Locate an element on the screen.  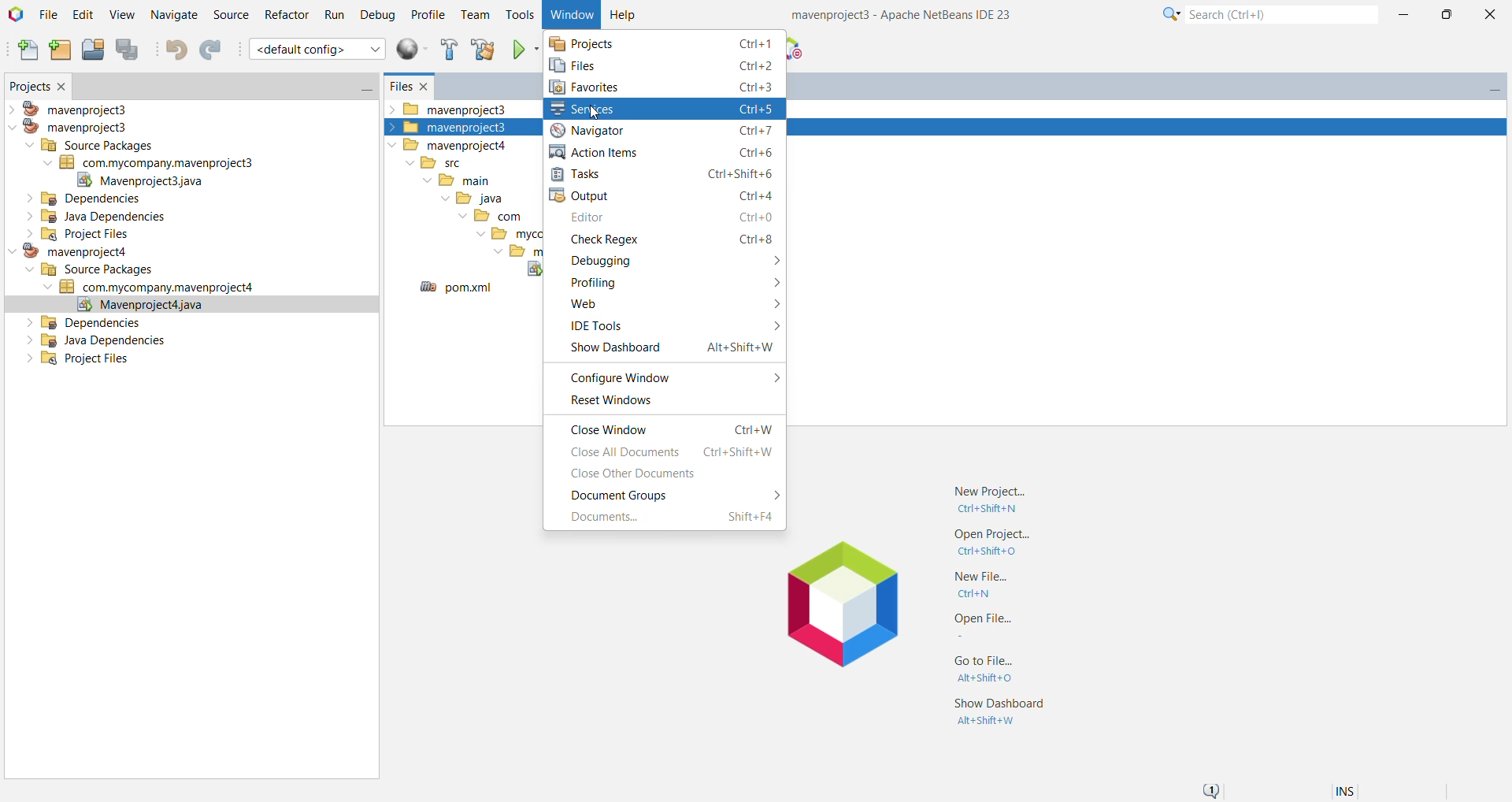
Project Files is located at coordinates (72, 235).